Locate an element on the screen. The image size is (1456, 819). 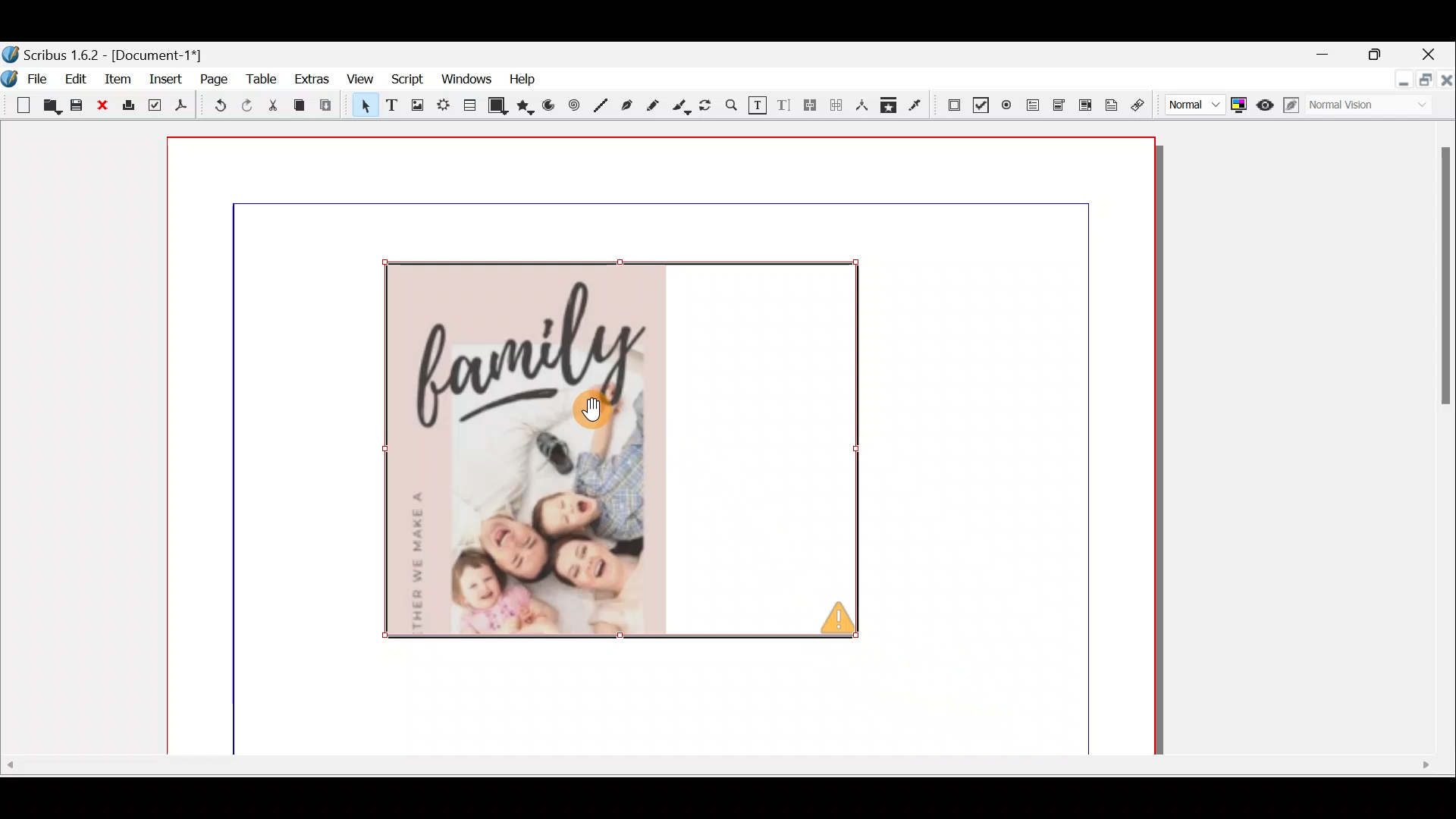
Windows is located at coordinates (468, 79).